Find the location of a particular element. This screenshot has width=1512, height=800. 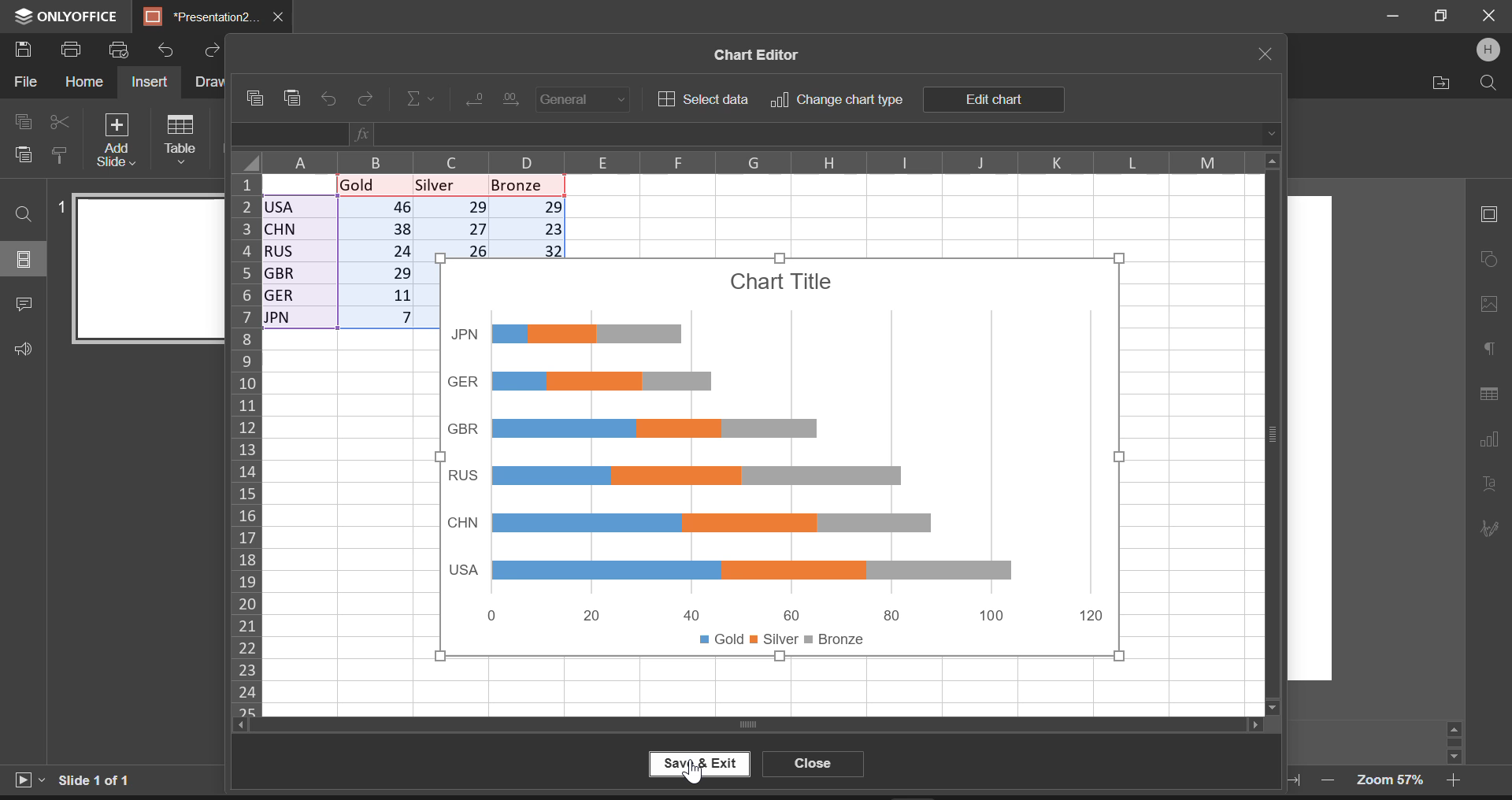

Table is located at coordinates (180, 137).